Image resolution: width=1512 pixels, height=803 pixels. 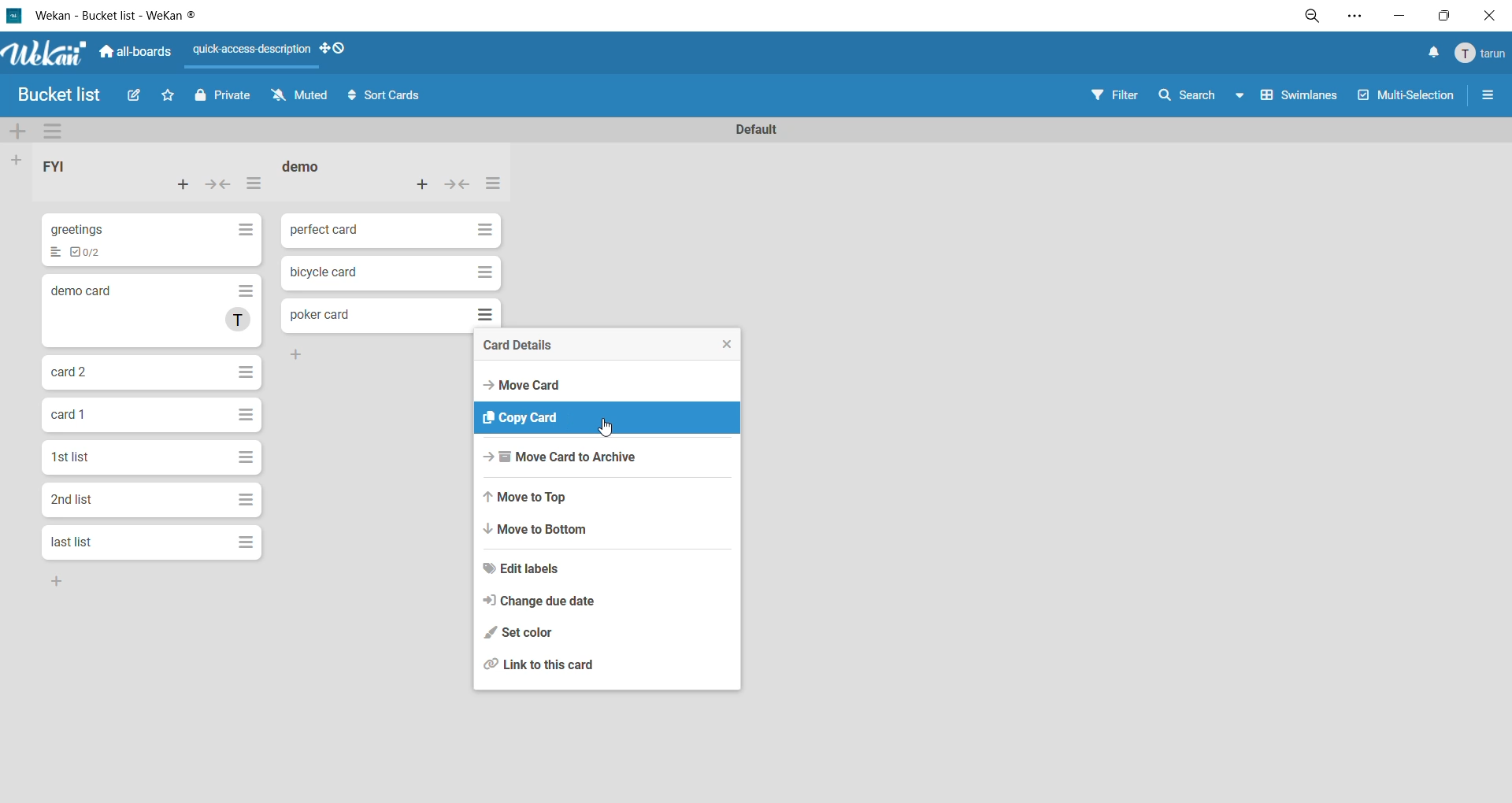 I want to click on link to this card, so click(x=547, y=664).